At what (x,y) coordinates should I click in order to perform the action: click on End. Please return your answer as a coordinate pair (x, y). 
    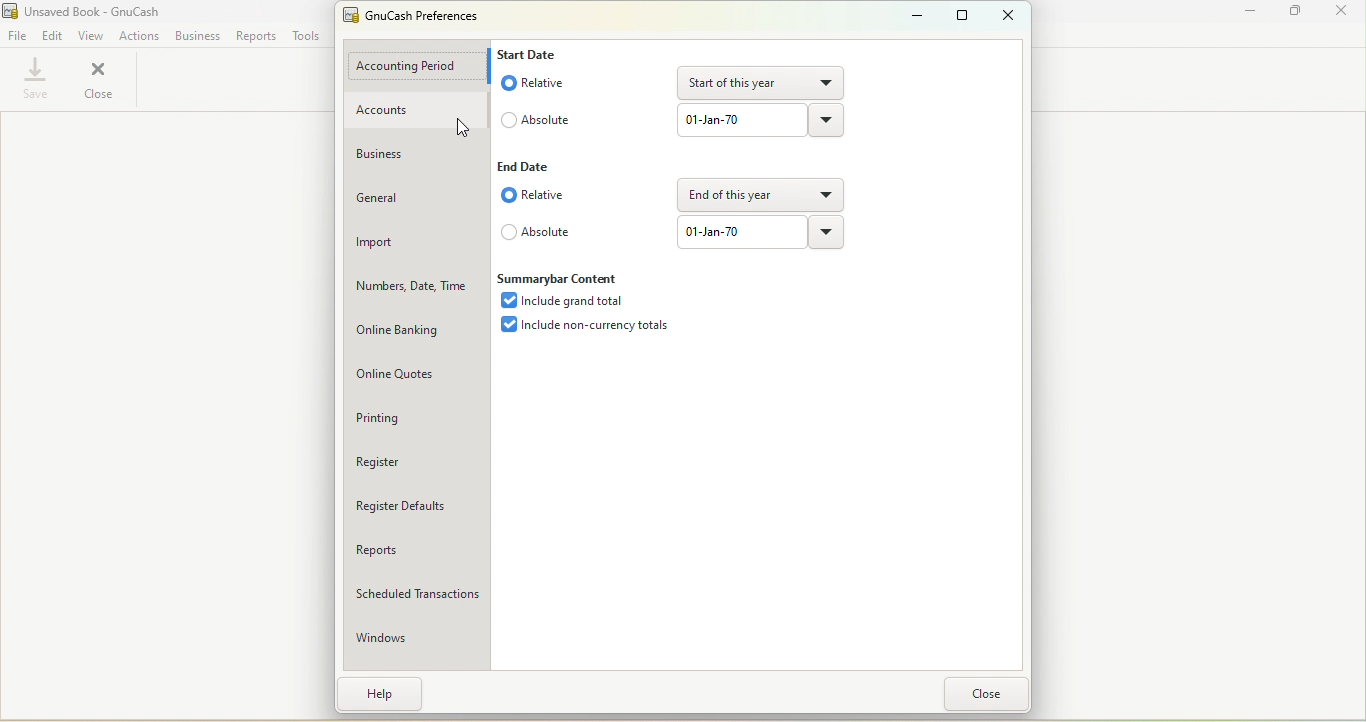
    Looking at the image, I should click on (523, 166).